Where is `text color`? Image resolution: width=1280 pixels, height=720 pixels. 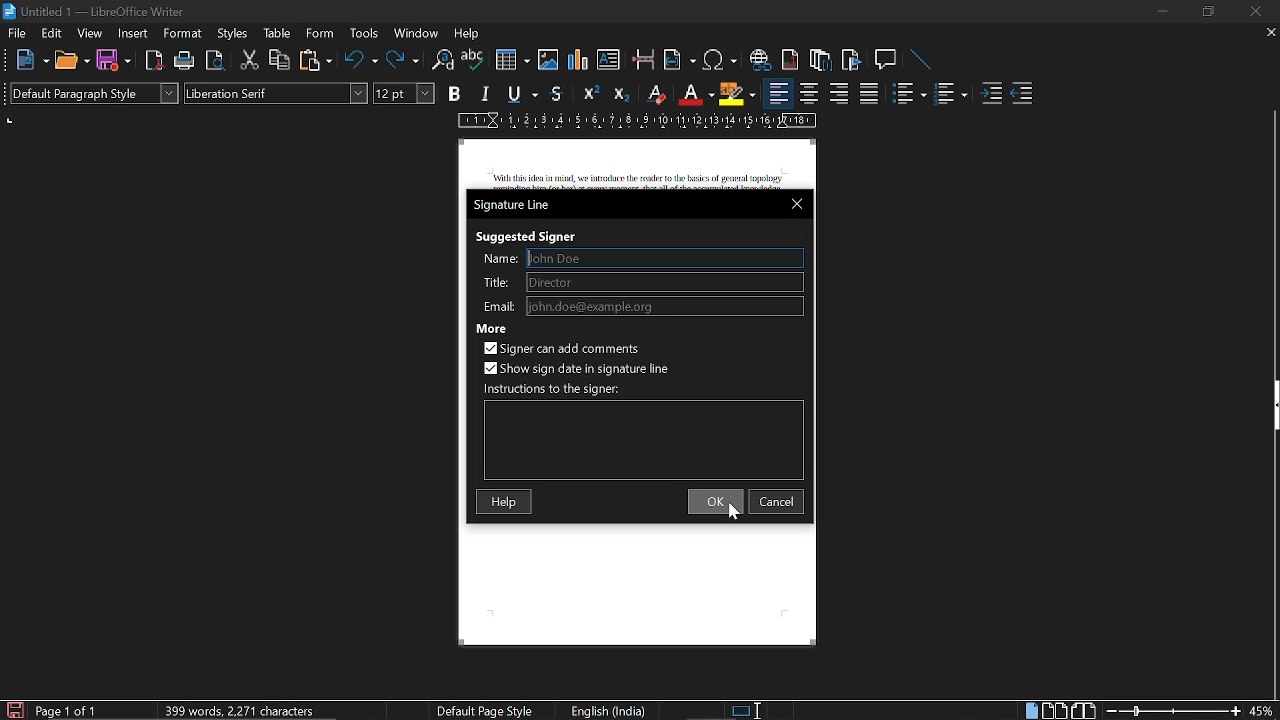
text color is located at coordinates (698, 94).